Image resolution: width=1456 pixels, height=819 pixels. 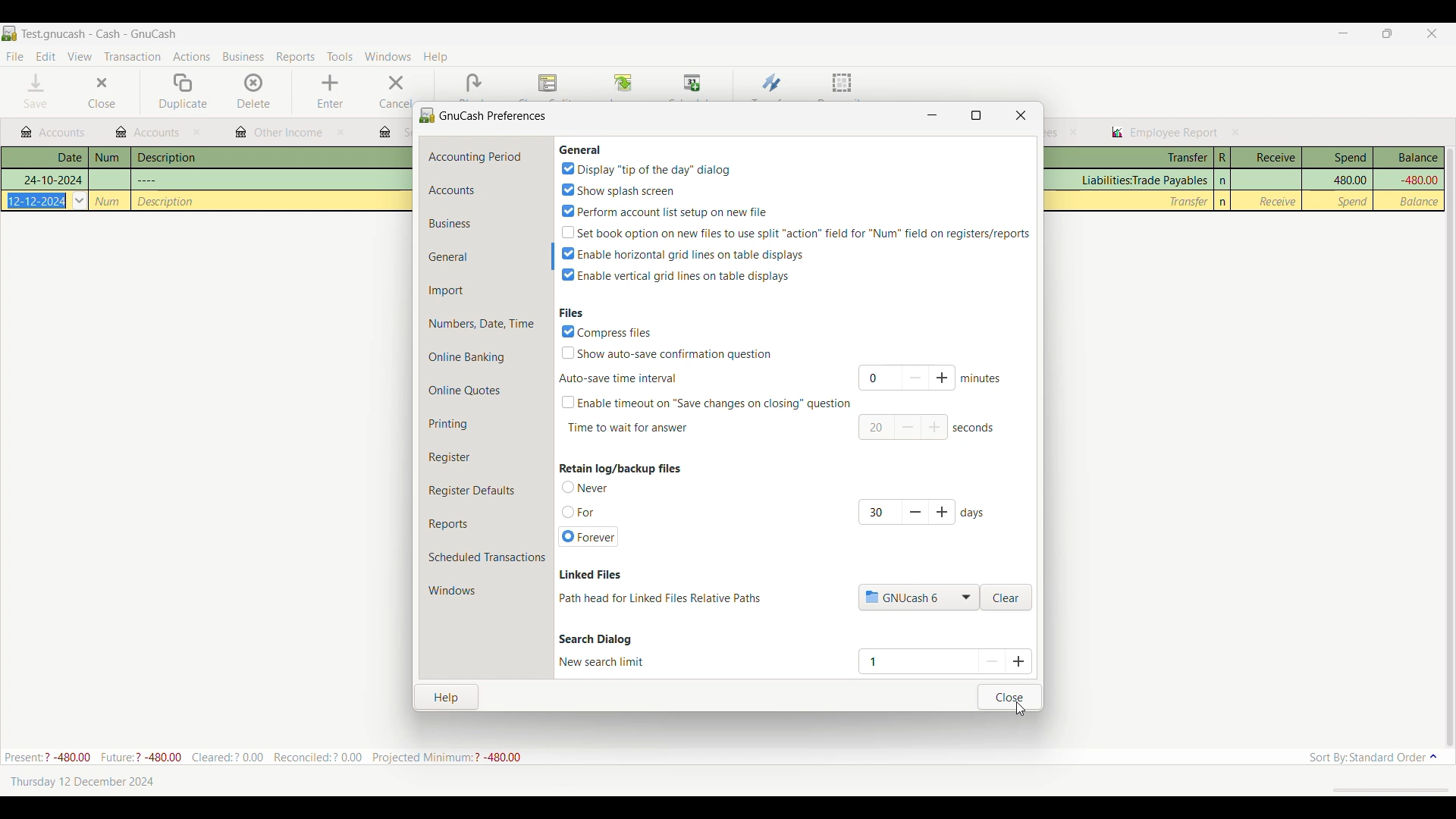 I want to click on min, so click(x=983, y=378).